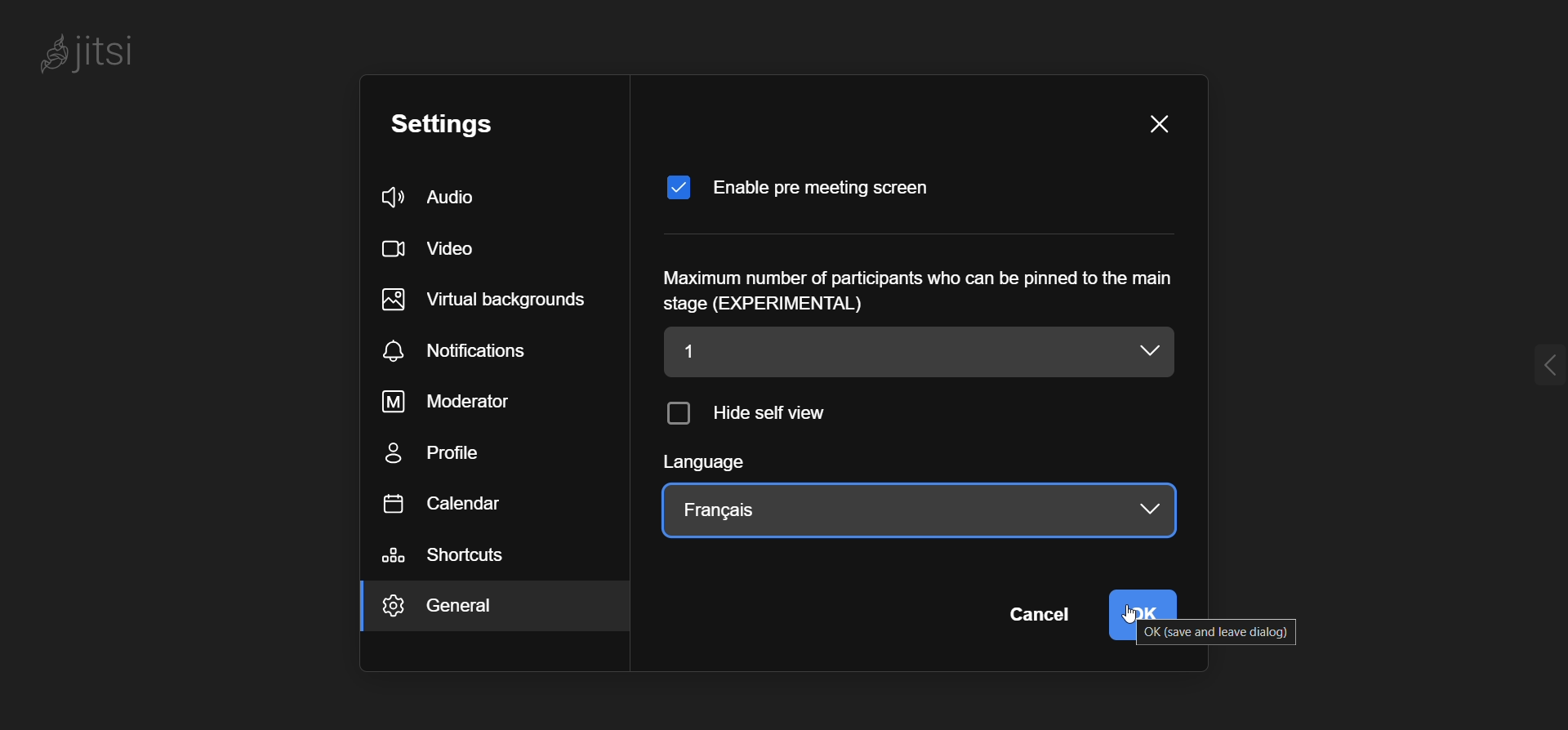  What do you see at coordinates (114, 60) in the screenshot?
I see `jitsi` at bounding box center [114, 60].